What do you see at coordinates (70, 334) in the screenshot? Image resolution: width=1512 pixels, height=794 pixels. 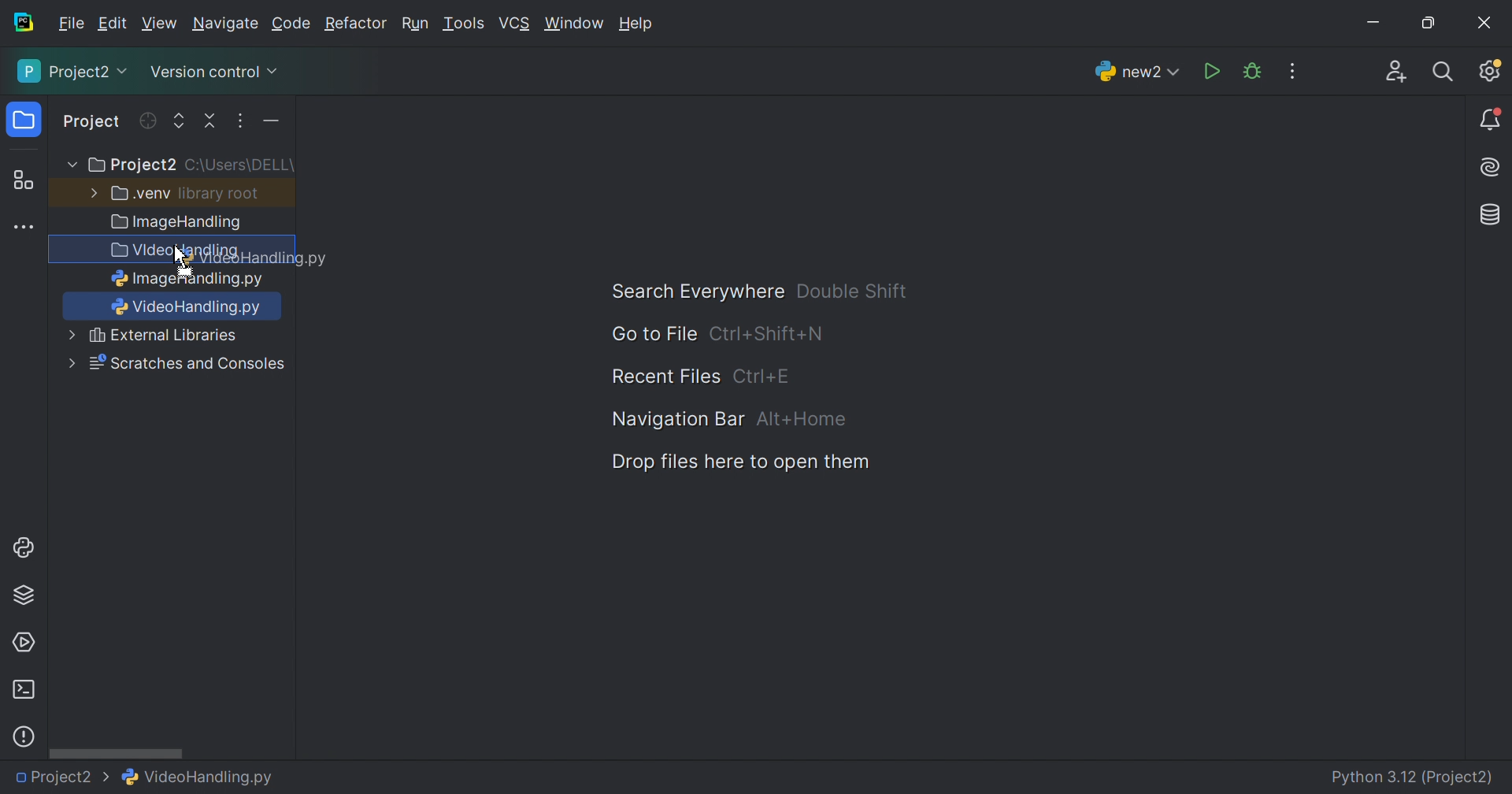 I see `More` at bounding box center [70, 334].